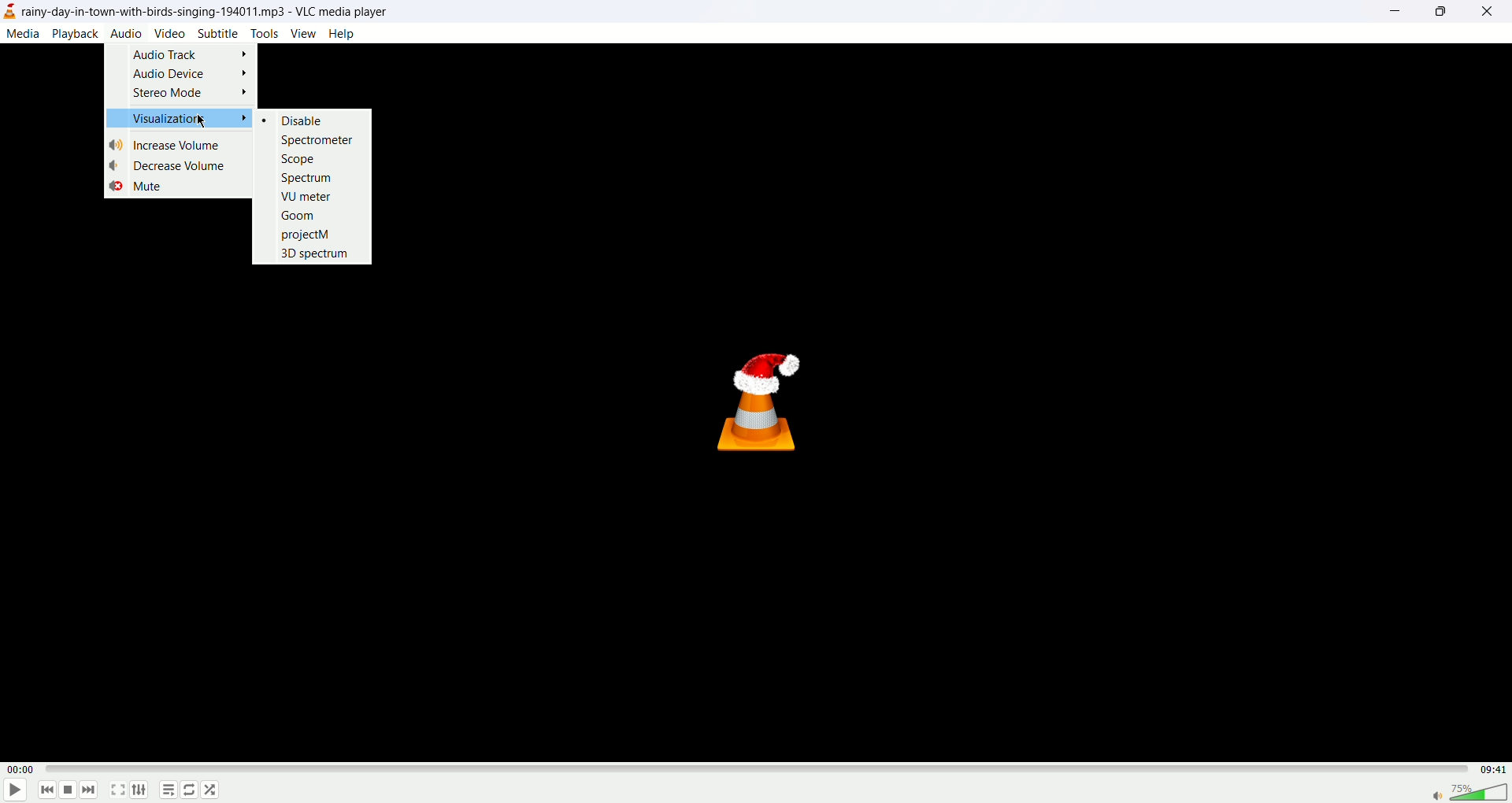  What do you see at coordinates (1488, 768) in the screenshot?
I see `total time` at bounding box center [1488, 768].